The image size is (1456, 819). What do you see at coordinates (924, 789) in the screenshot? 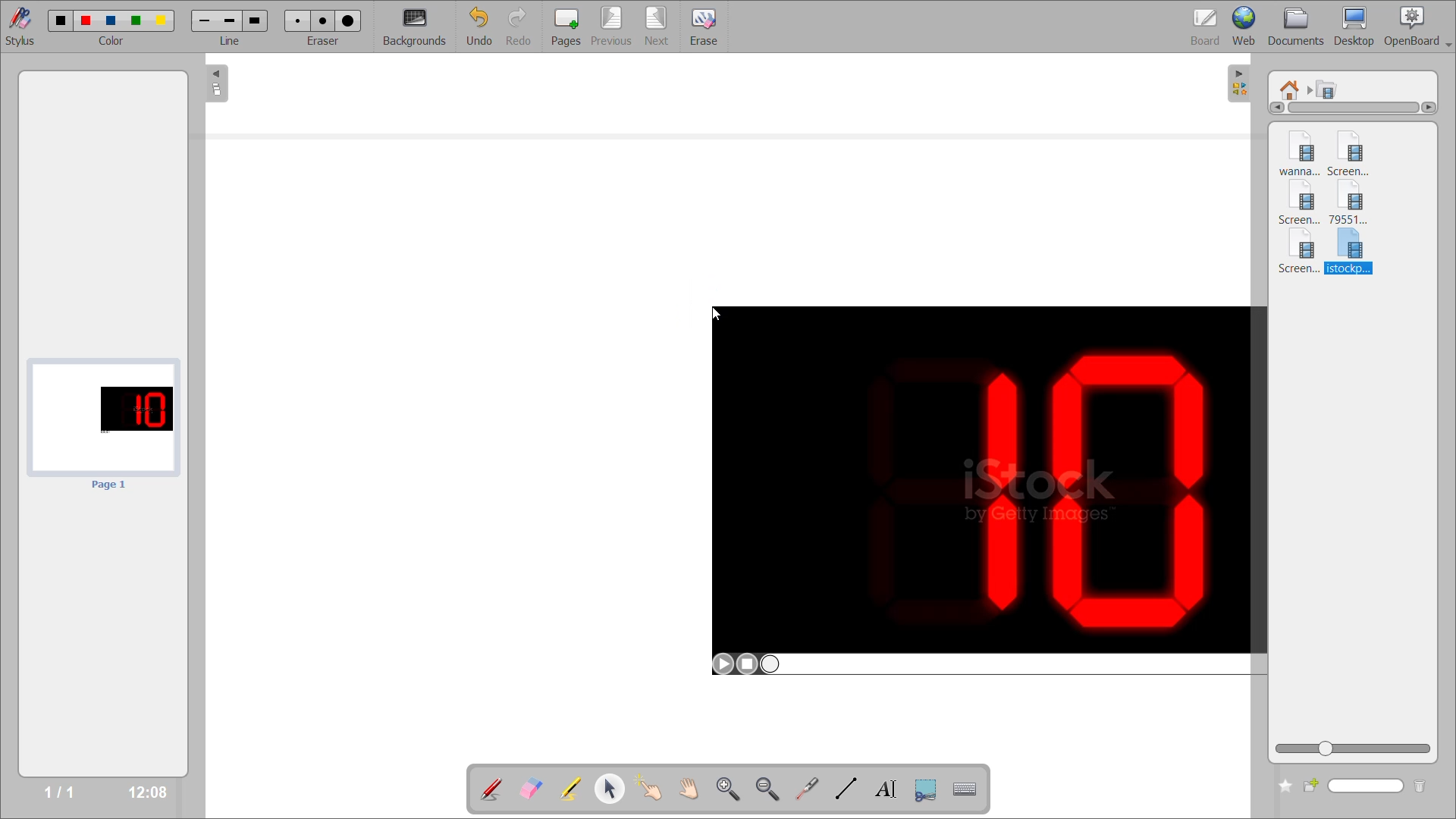
I see `capture part of screen` at bounding box center [924, 789].